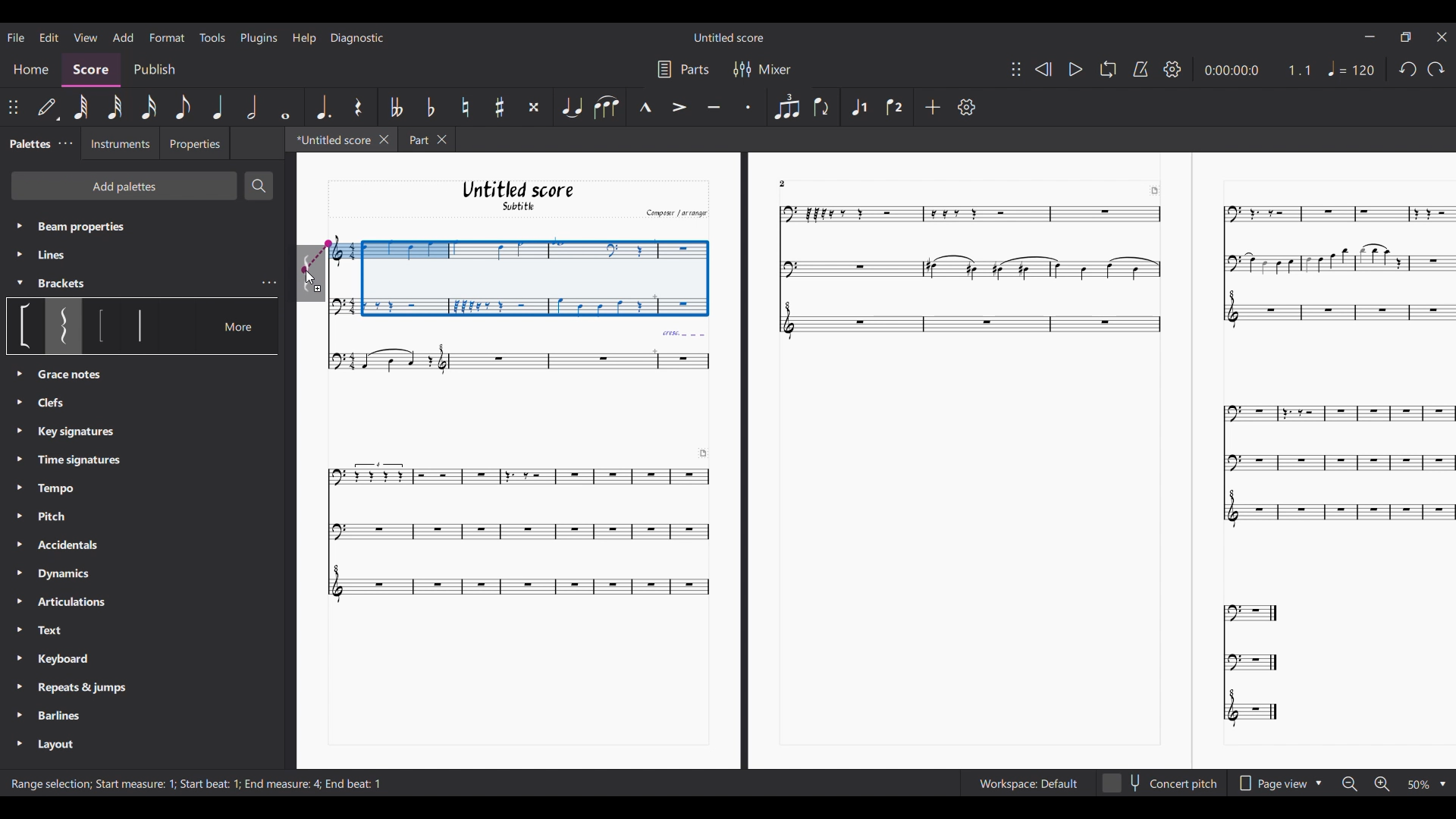  I want to click on Brackets, so click(71, 284).